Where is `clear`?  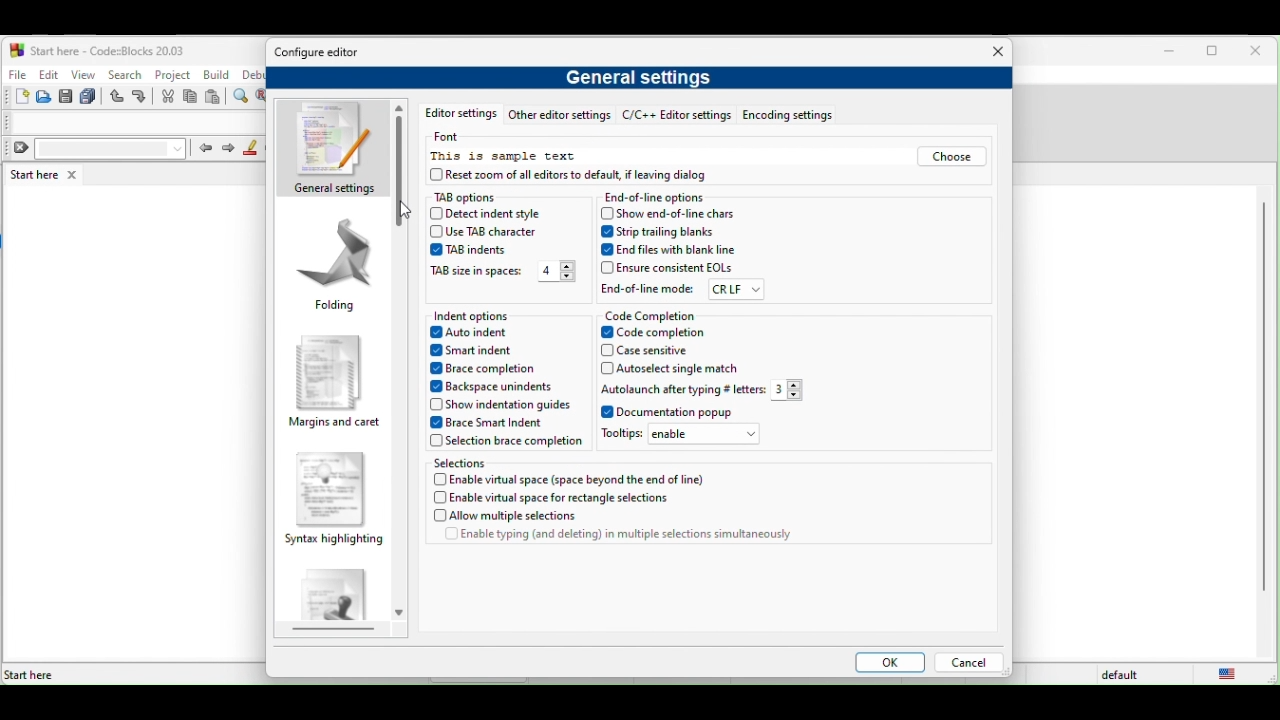 clear is located at coordinates (96, 149).